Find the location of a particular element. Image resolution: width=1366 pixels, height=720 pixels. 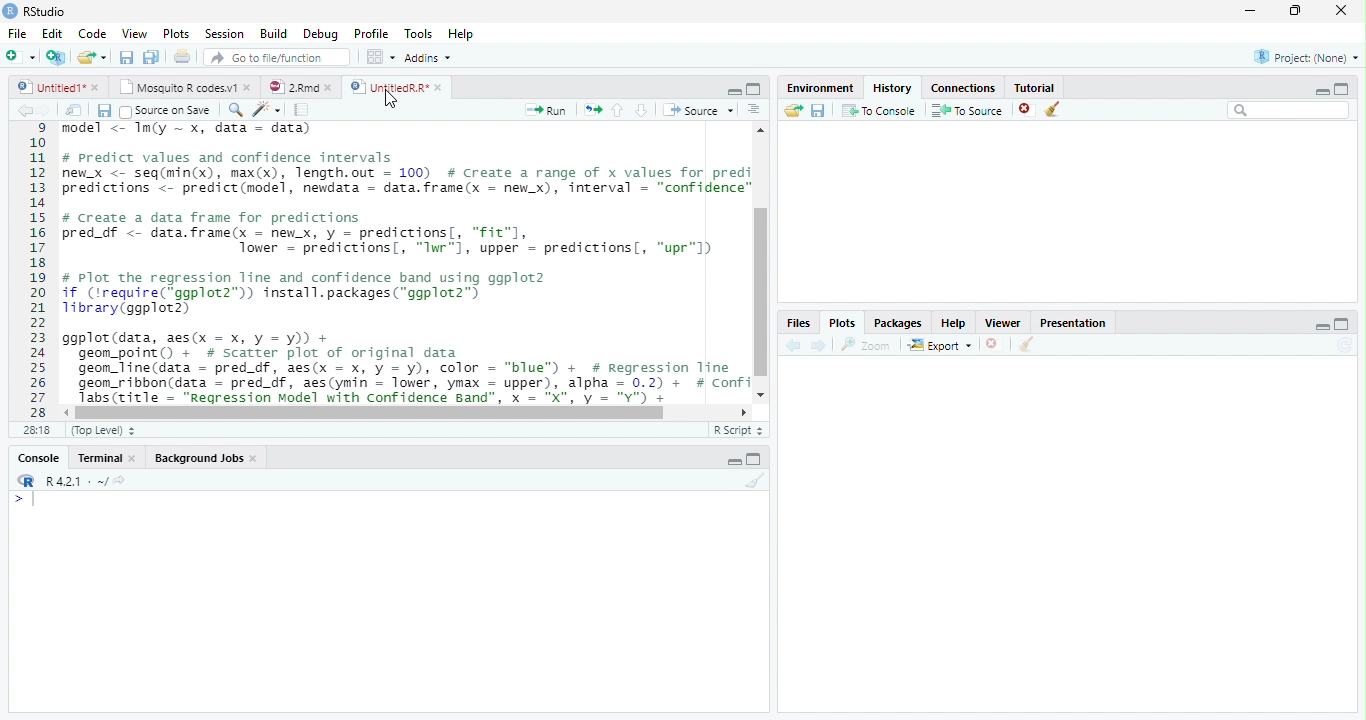

Create a project is located at coordinates (55, 57).